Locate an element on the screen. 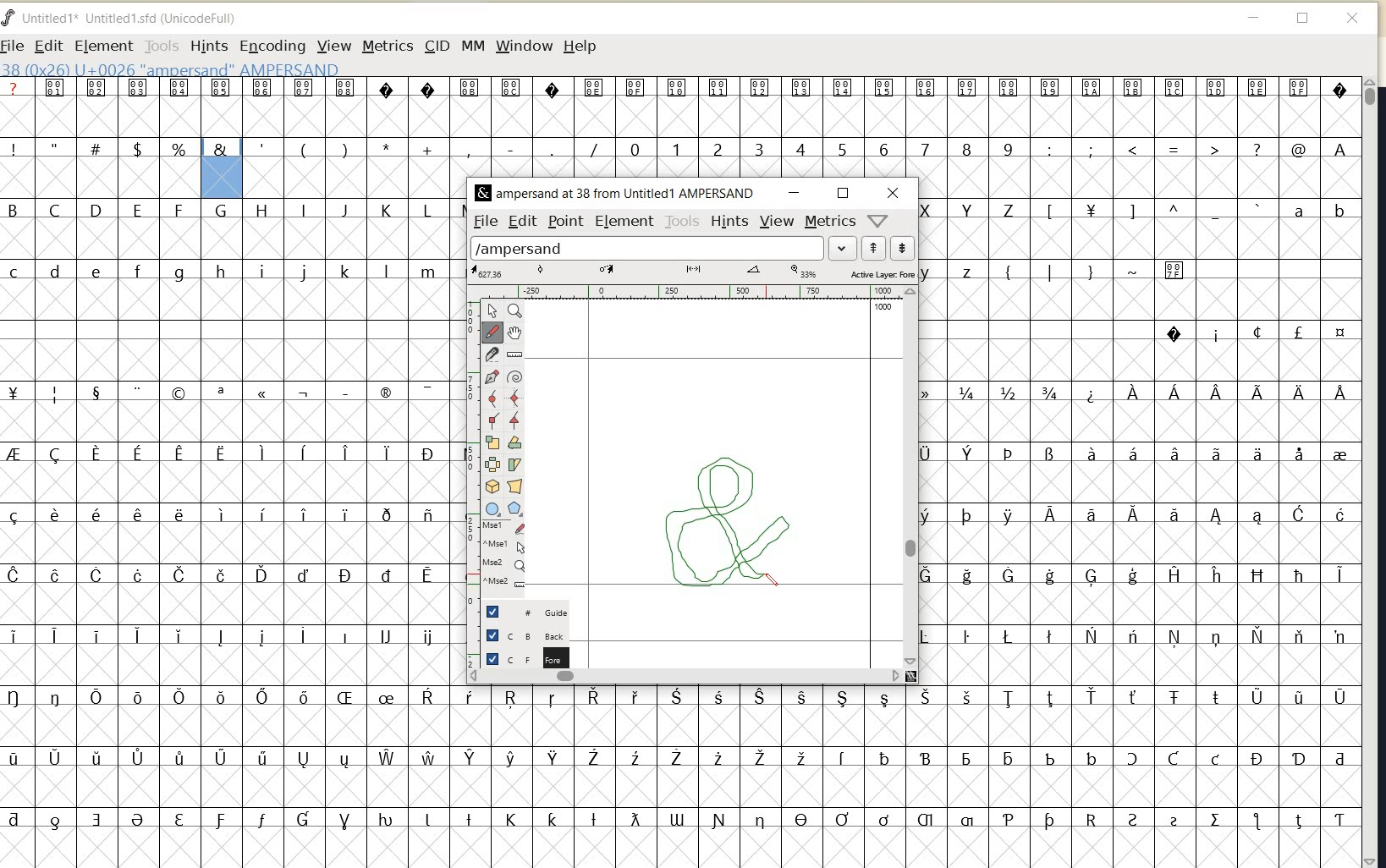  VIEW is located at coordinates (778, 222).